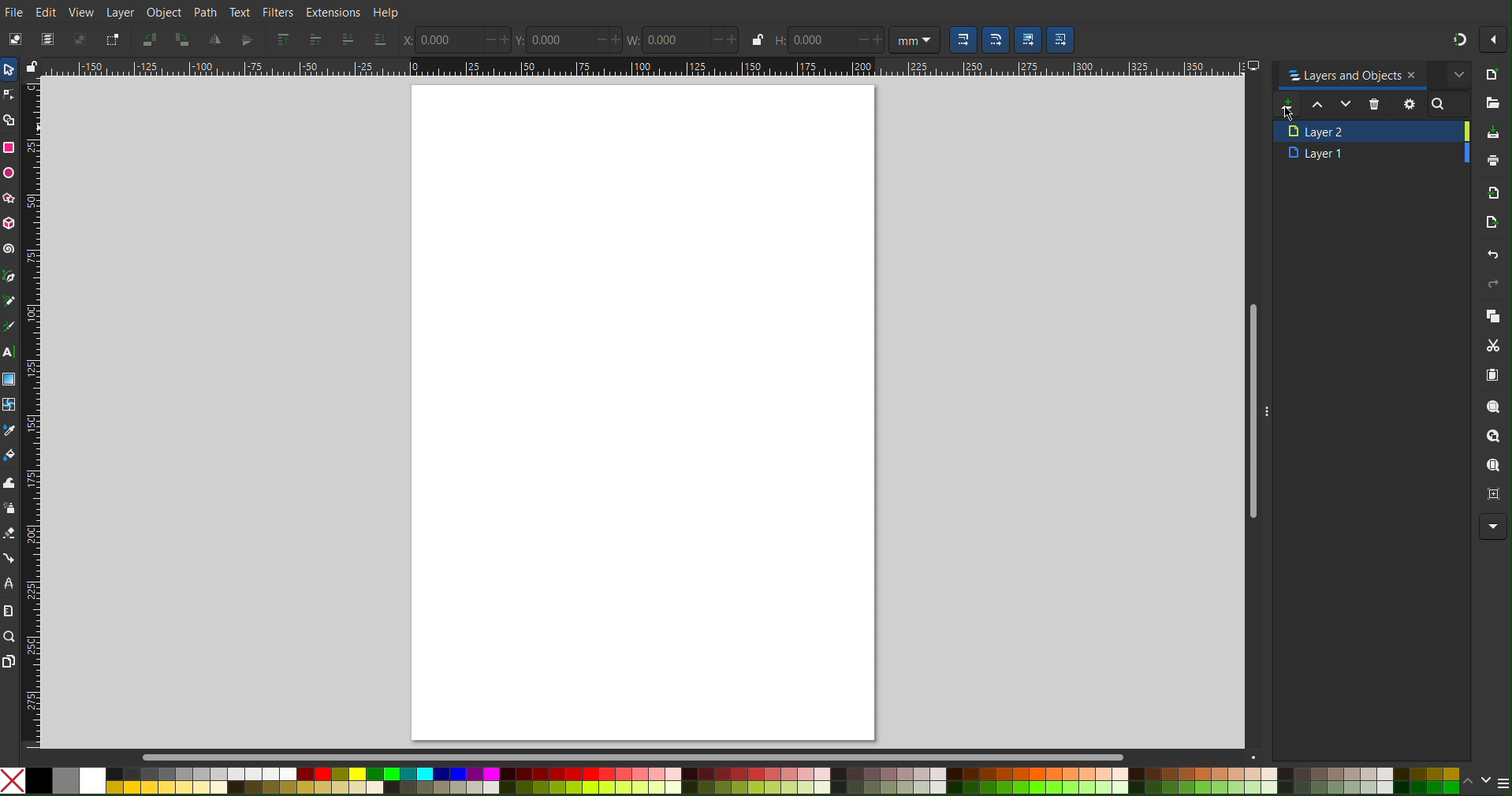 The width and height of the screenshot is (1512, 796). Describe the element at coordinates (1492, 225) in the screenshot. I see `Open Export` at that location.